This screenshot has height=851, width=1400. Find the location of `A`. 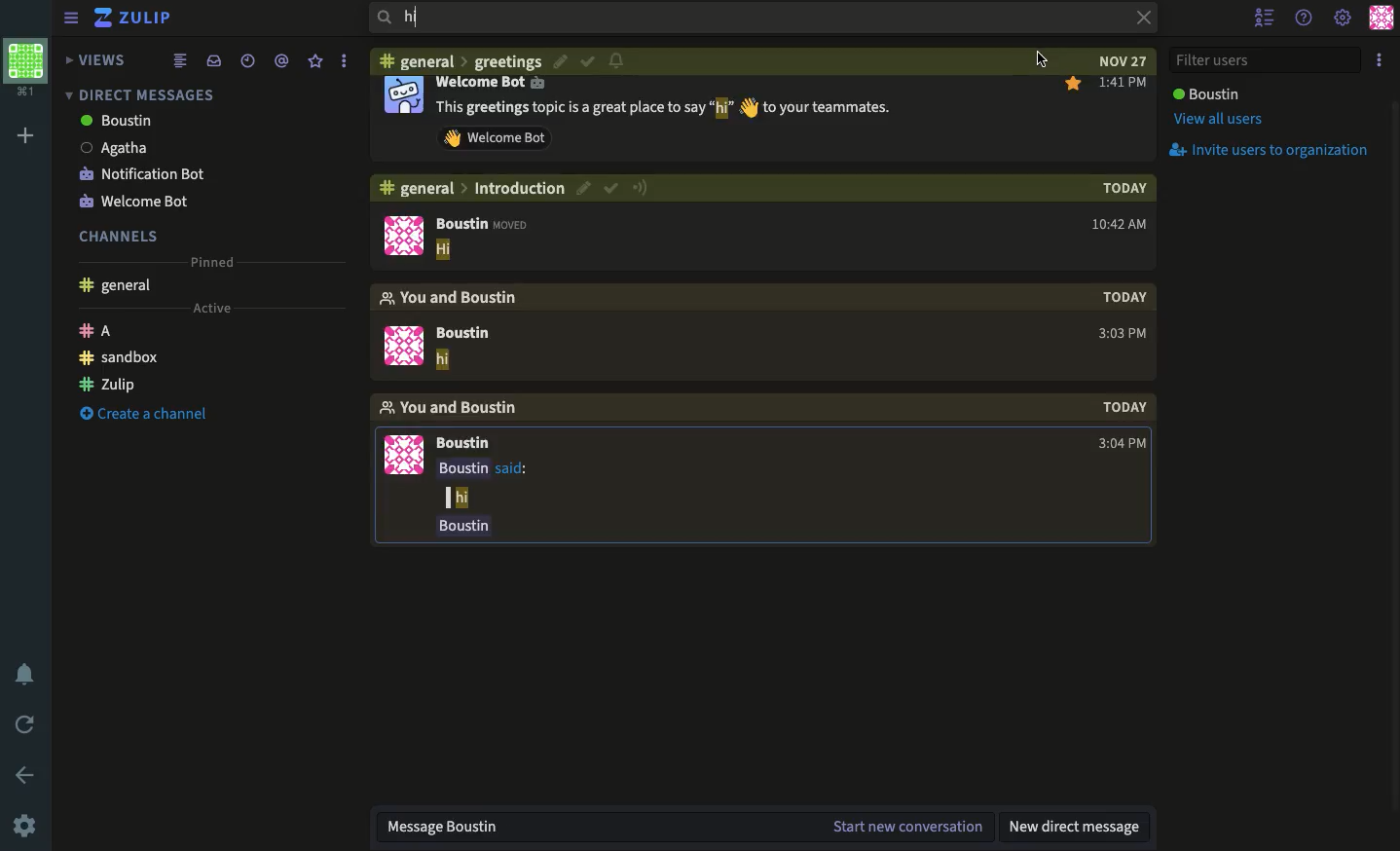

A is located at coordinates (95, 330).